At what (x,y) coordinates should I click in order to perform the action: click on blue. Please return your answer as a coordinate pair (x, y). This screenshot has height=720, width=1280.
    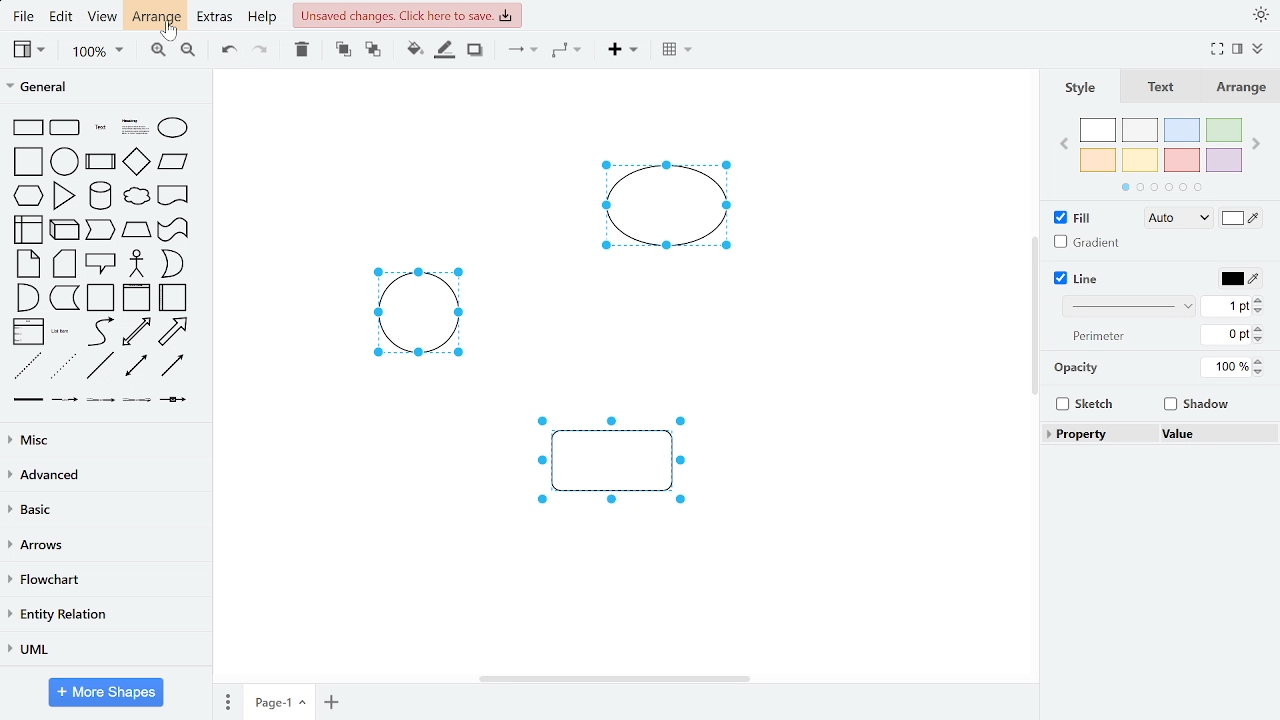
    Looking at the image, I should click on (1181, 130).